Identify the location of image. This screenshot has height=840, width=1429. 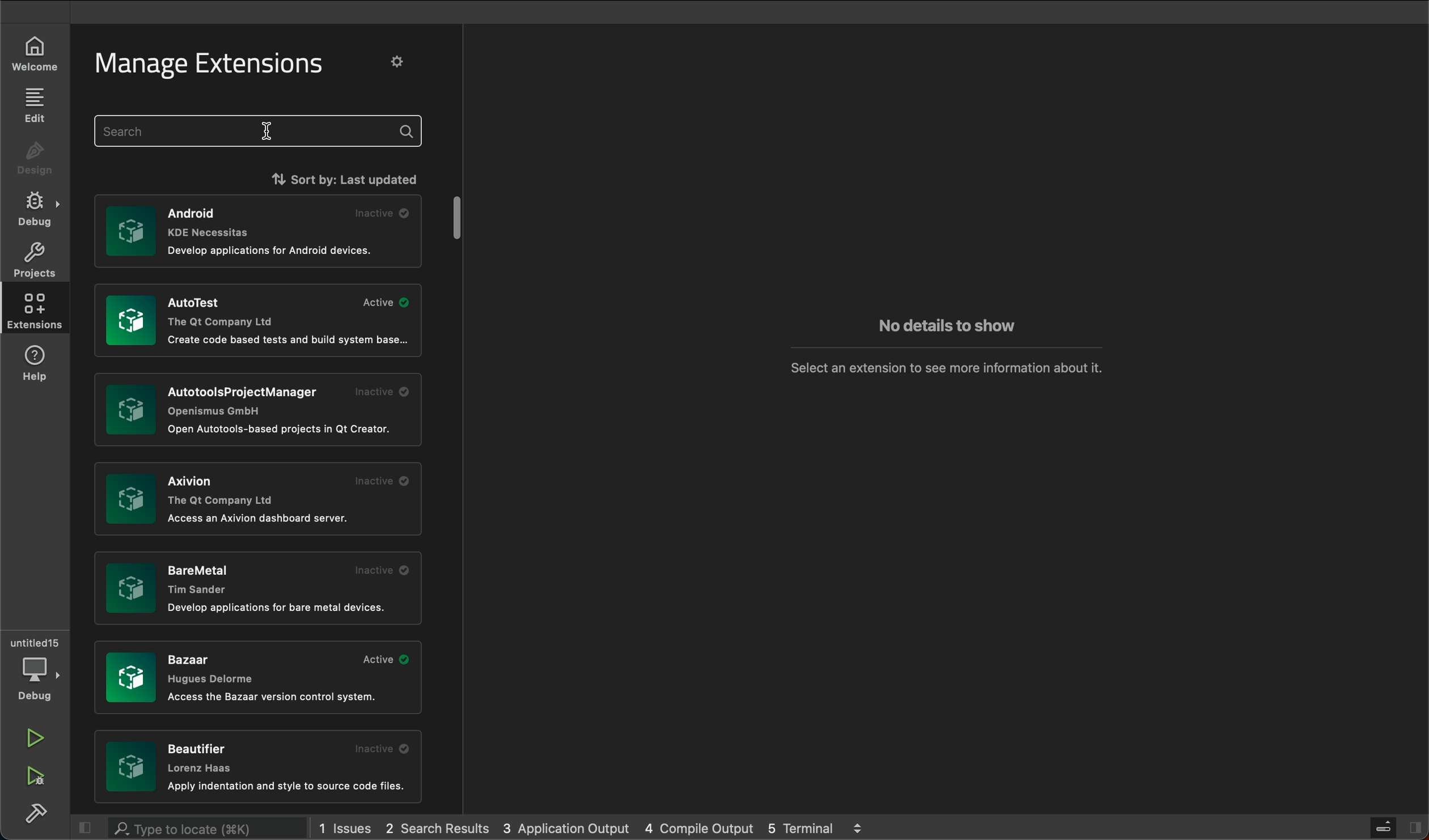
(130, 409).